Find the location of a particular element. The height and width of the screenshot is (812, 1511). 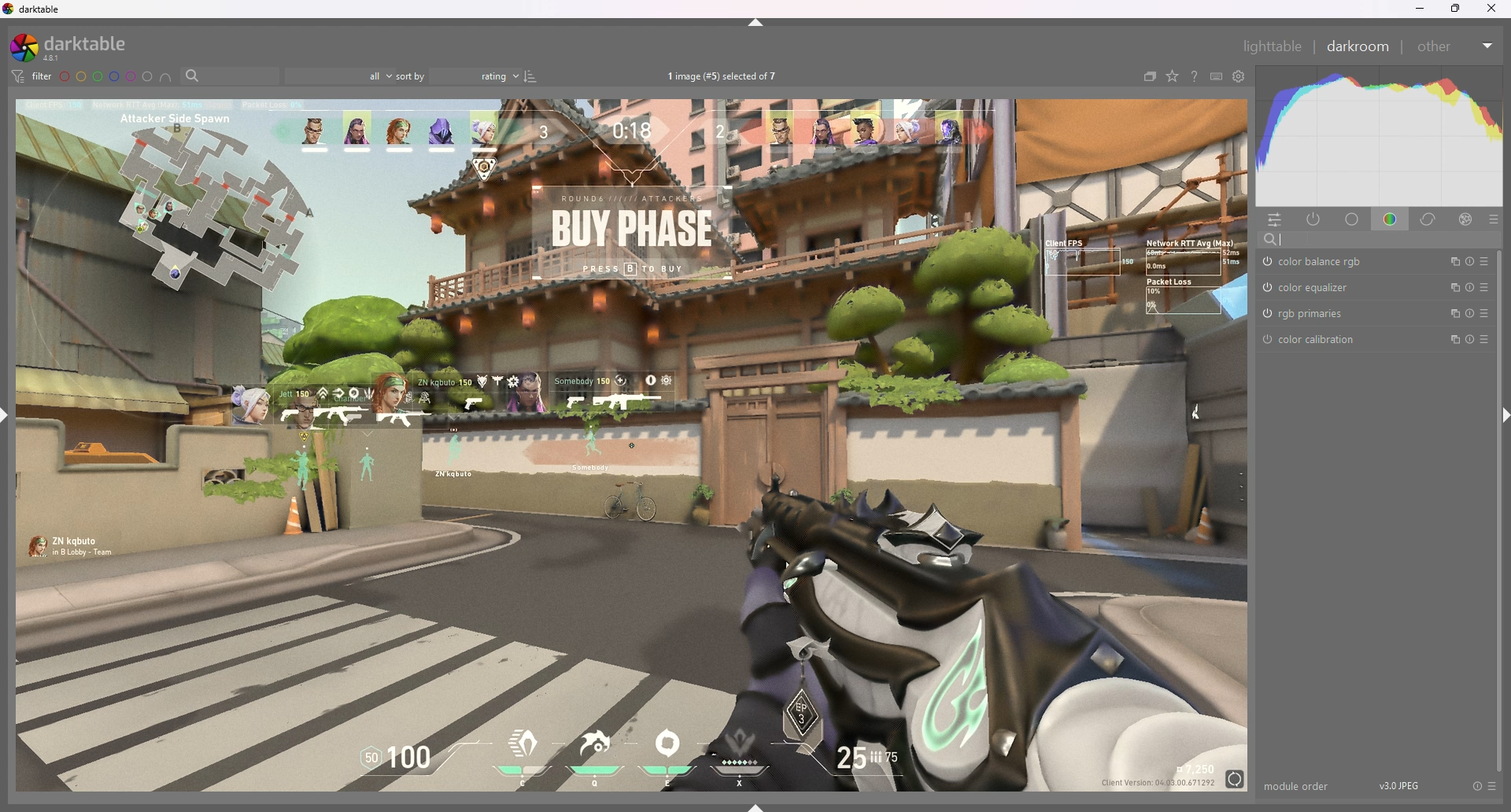

color equalizer is located at coordinates (1310, 286).